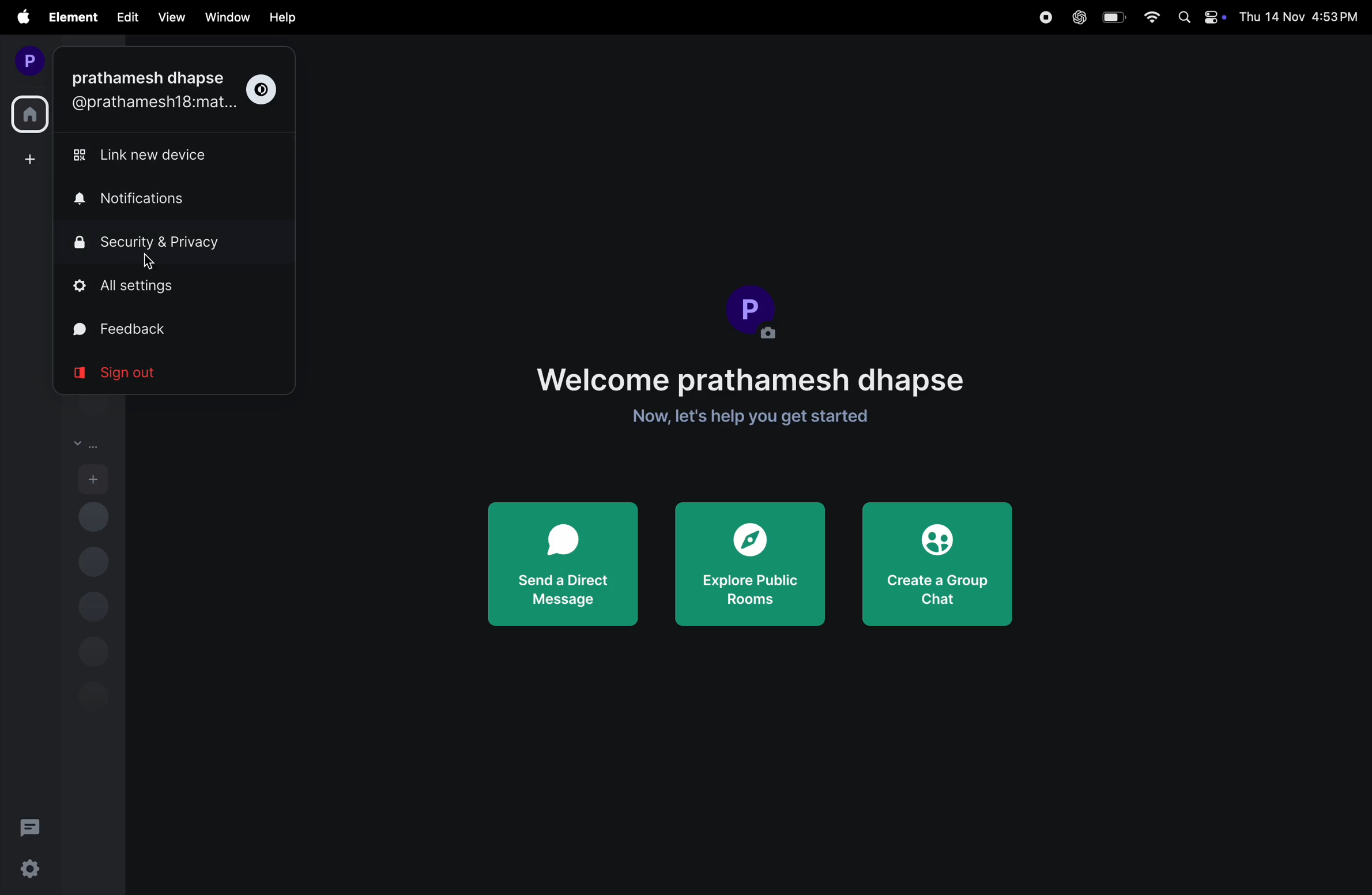 The width and height of the screenshot is (1372, 895). Describe the element at coordinates (1210, 16) in the screenshot. I see `apple widgets` at that location.